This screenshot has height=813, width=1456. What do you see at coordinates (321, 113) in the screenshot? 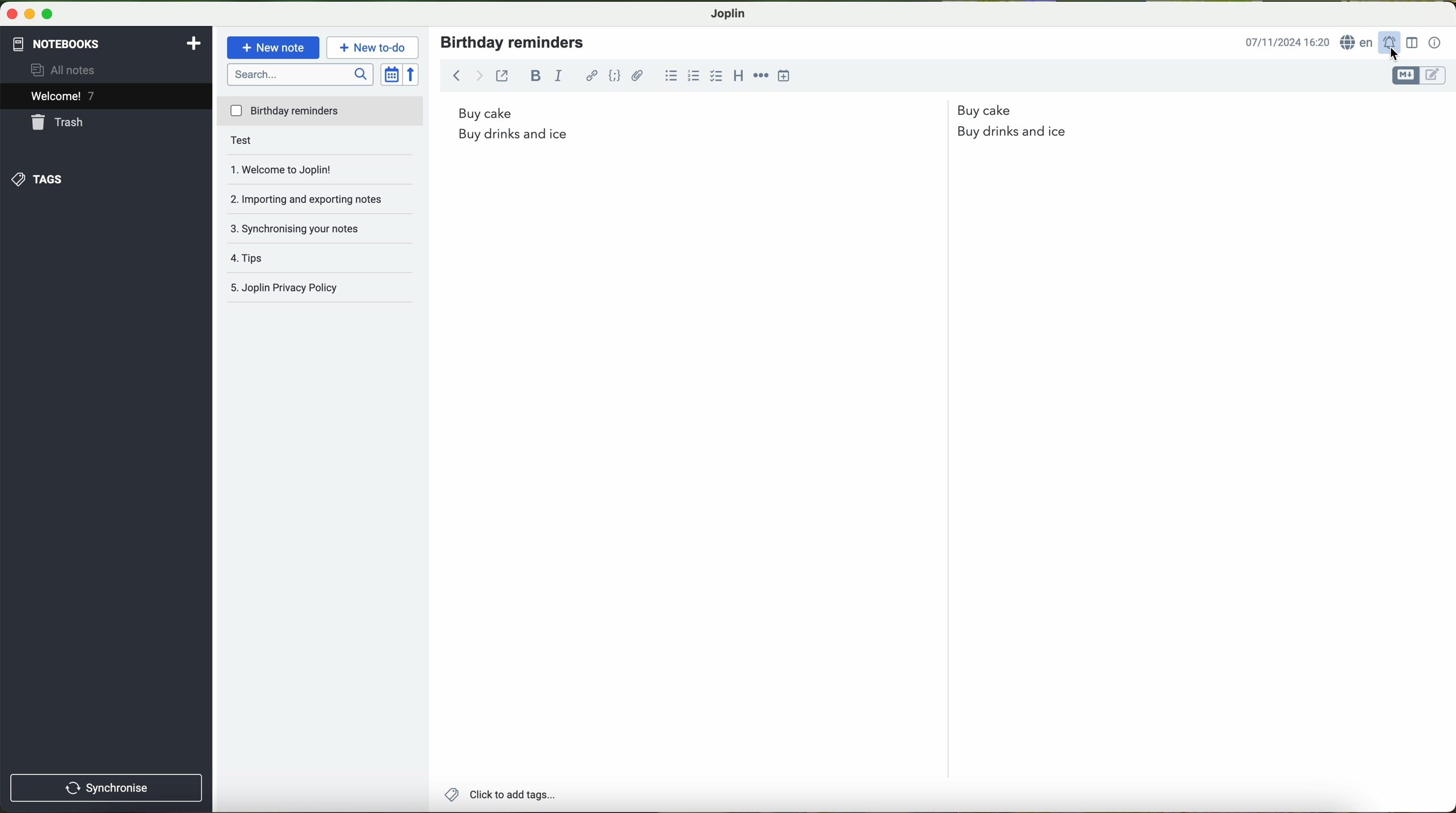
I see `birthday reminders file` at bounding box center [321, 113].